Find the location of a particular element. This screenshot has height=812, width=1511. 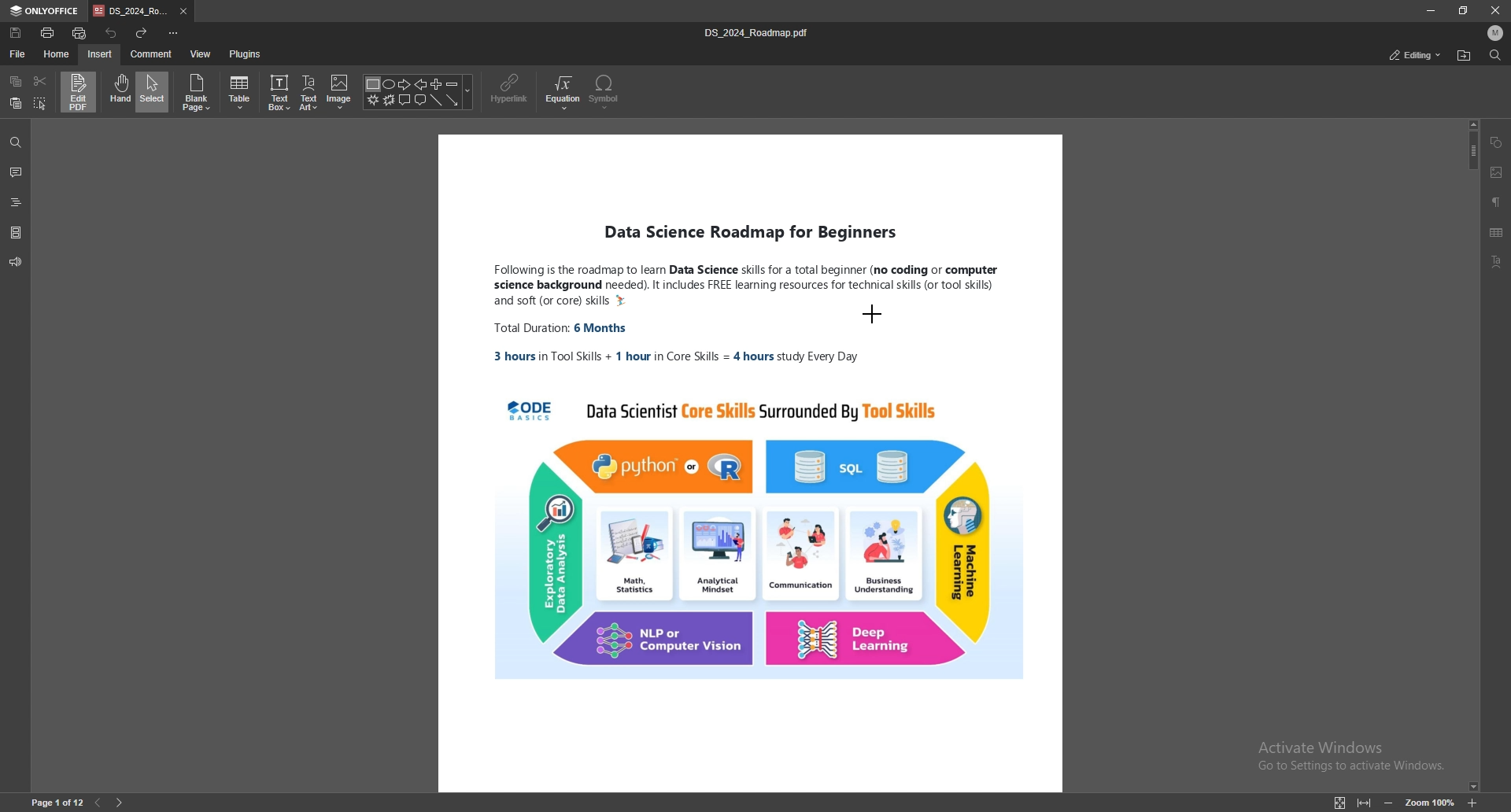

page number is located at coordinates (57, 803).